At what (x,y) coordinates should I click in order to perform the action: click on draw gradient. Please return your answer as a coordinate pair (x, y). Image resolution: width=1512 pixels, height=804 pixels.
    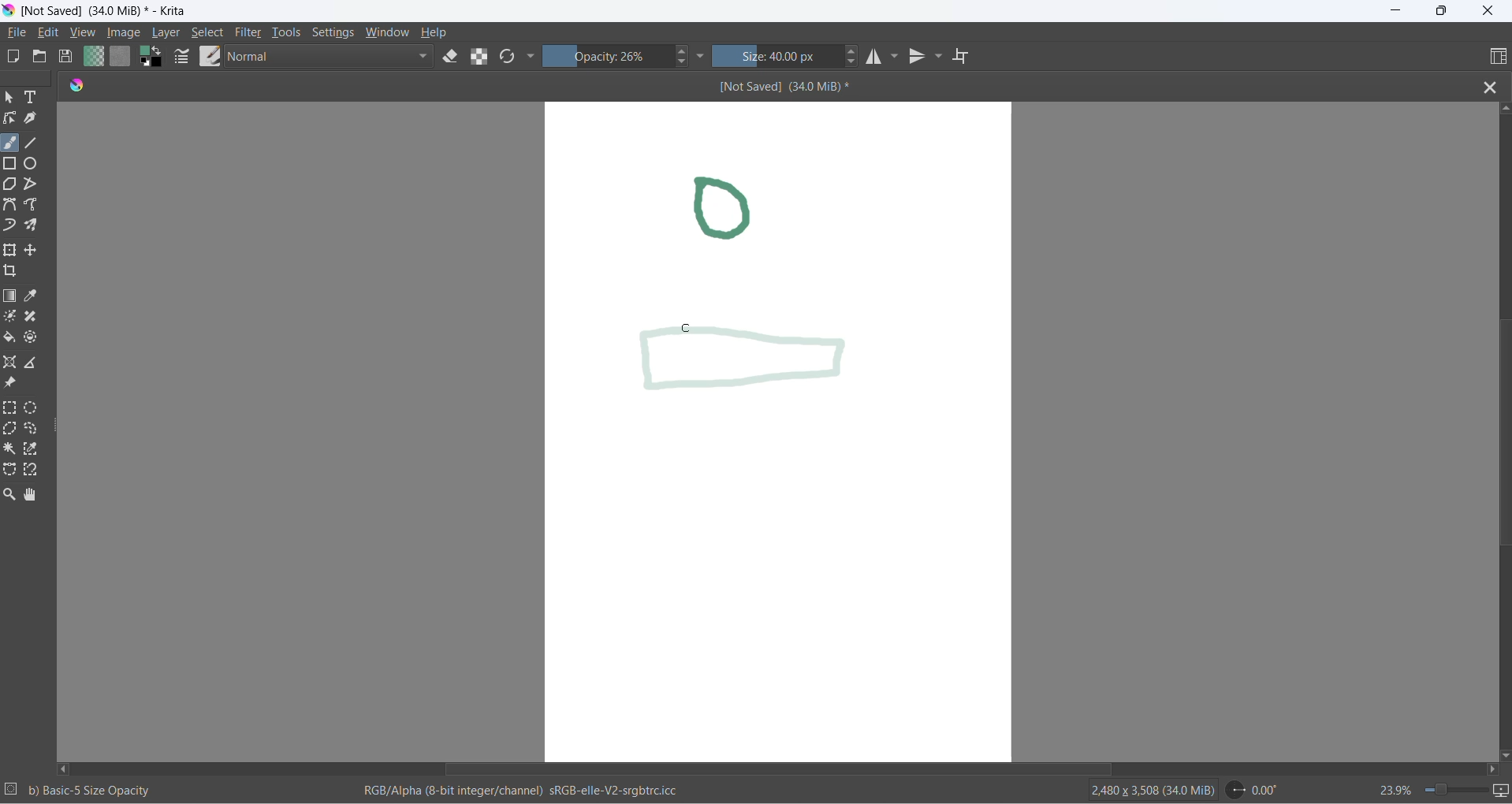
    Looking at the image, I should click on (11, 297).